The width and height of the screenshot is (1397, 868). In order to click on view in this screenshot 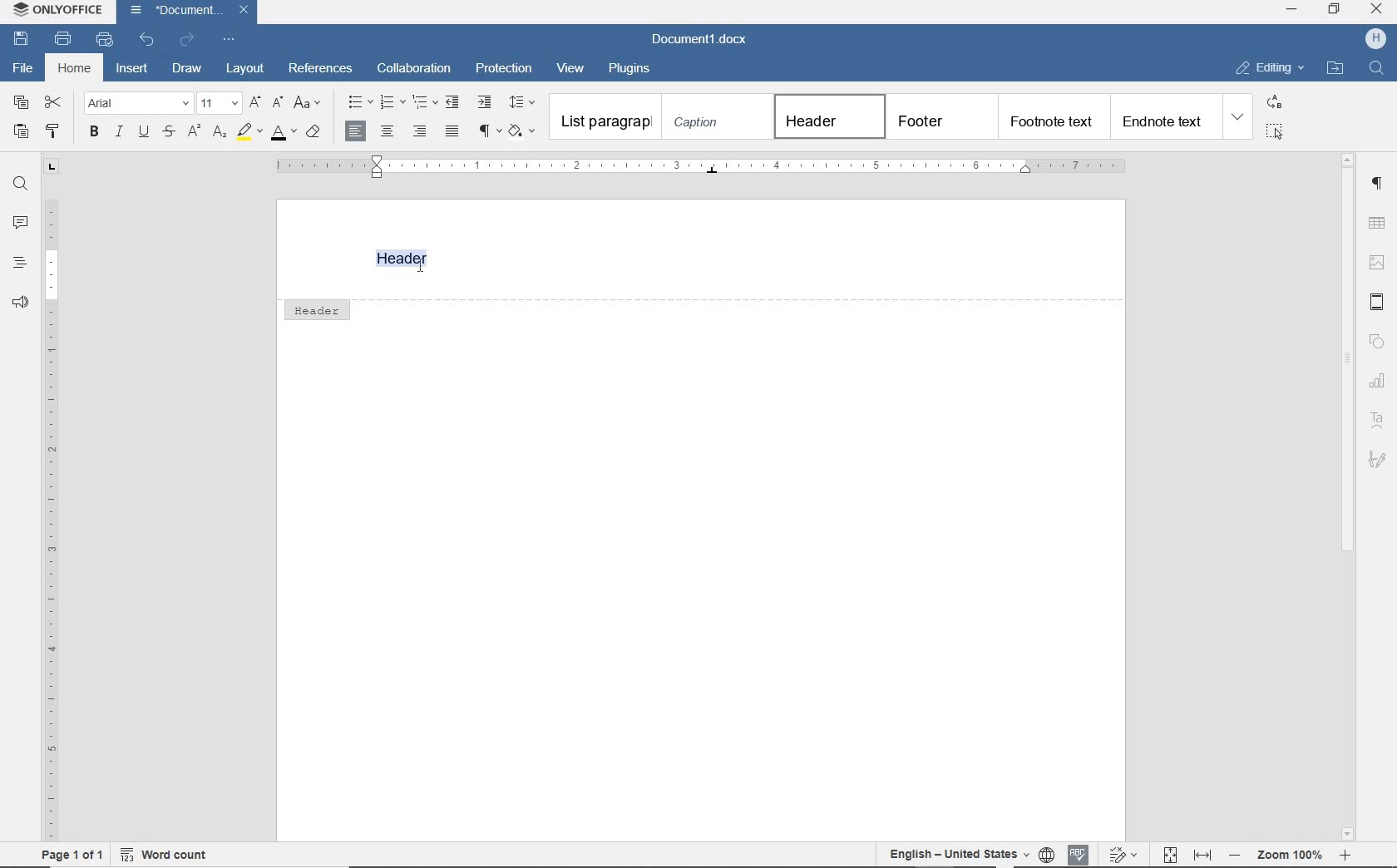, I will do `click(571, 68)`.